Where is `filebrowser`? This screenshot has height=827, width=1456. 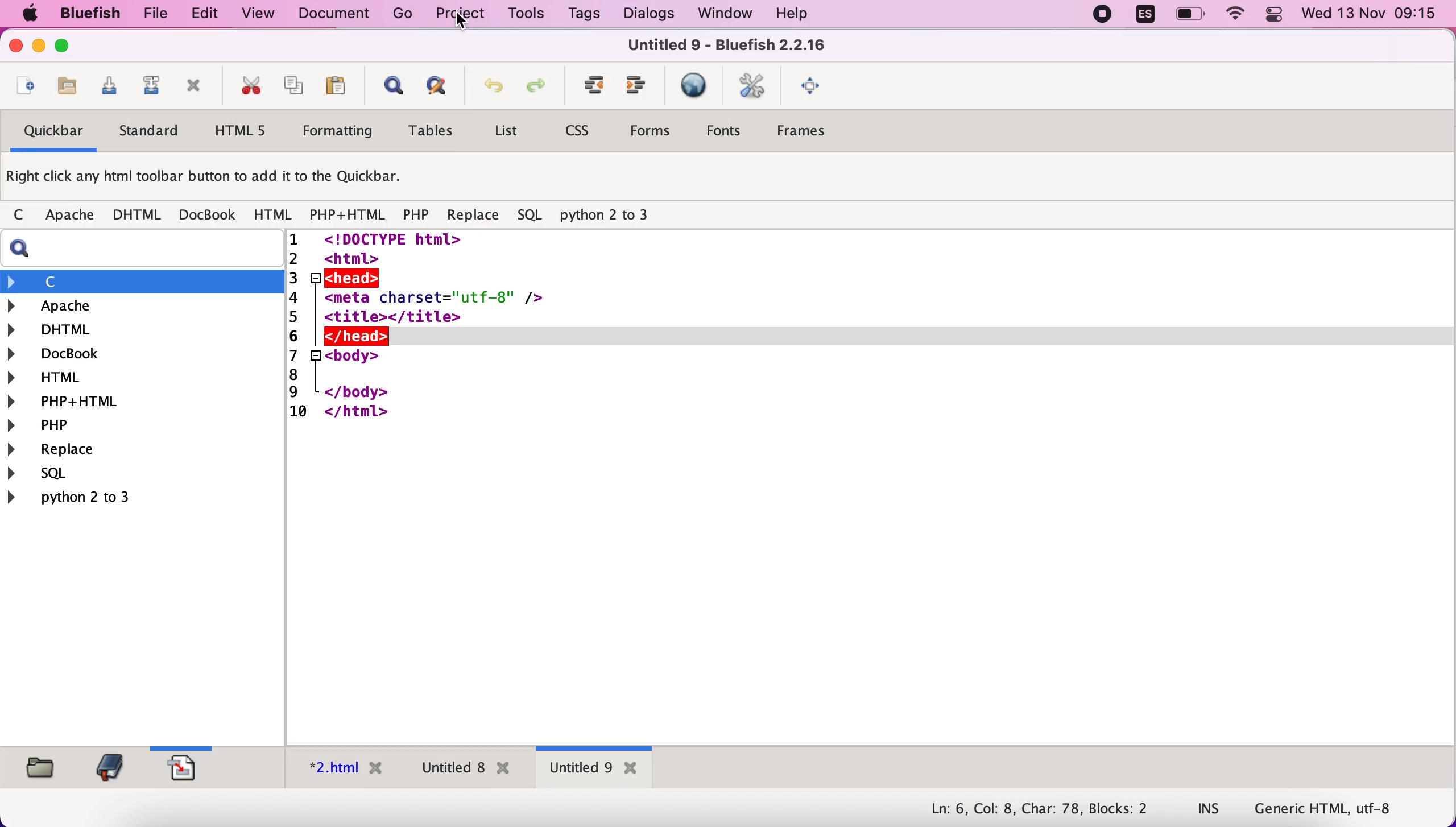
filebrowser is located at coordinates (36, 766).